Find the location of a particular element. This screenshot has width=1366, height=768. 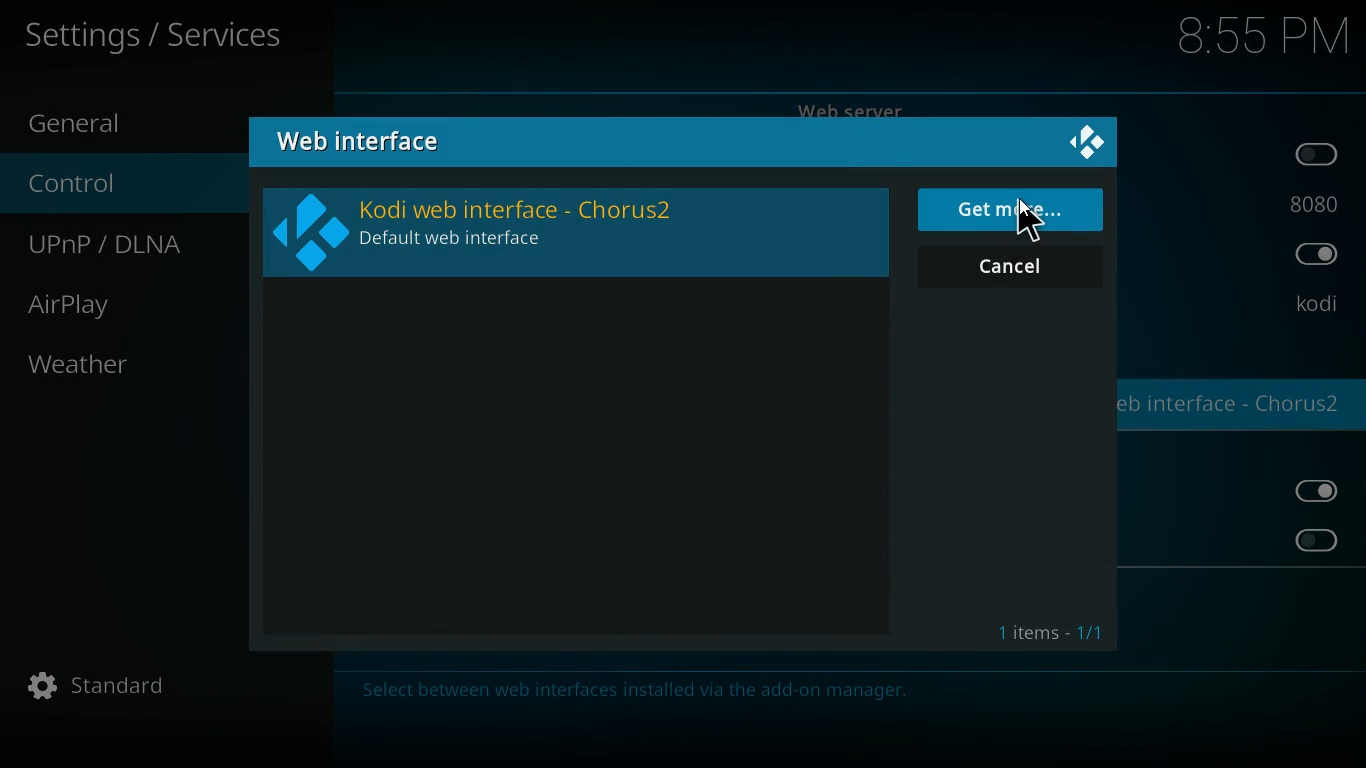

web interface is located at coordinates (373, 142).